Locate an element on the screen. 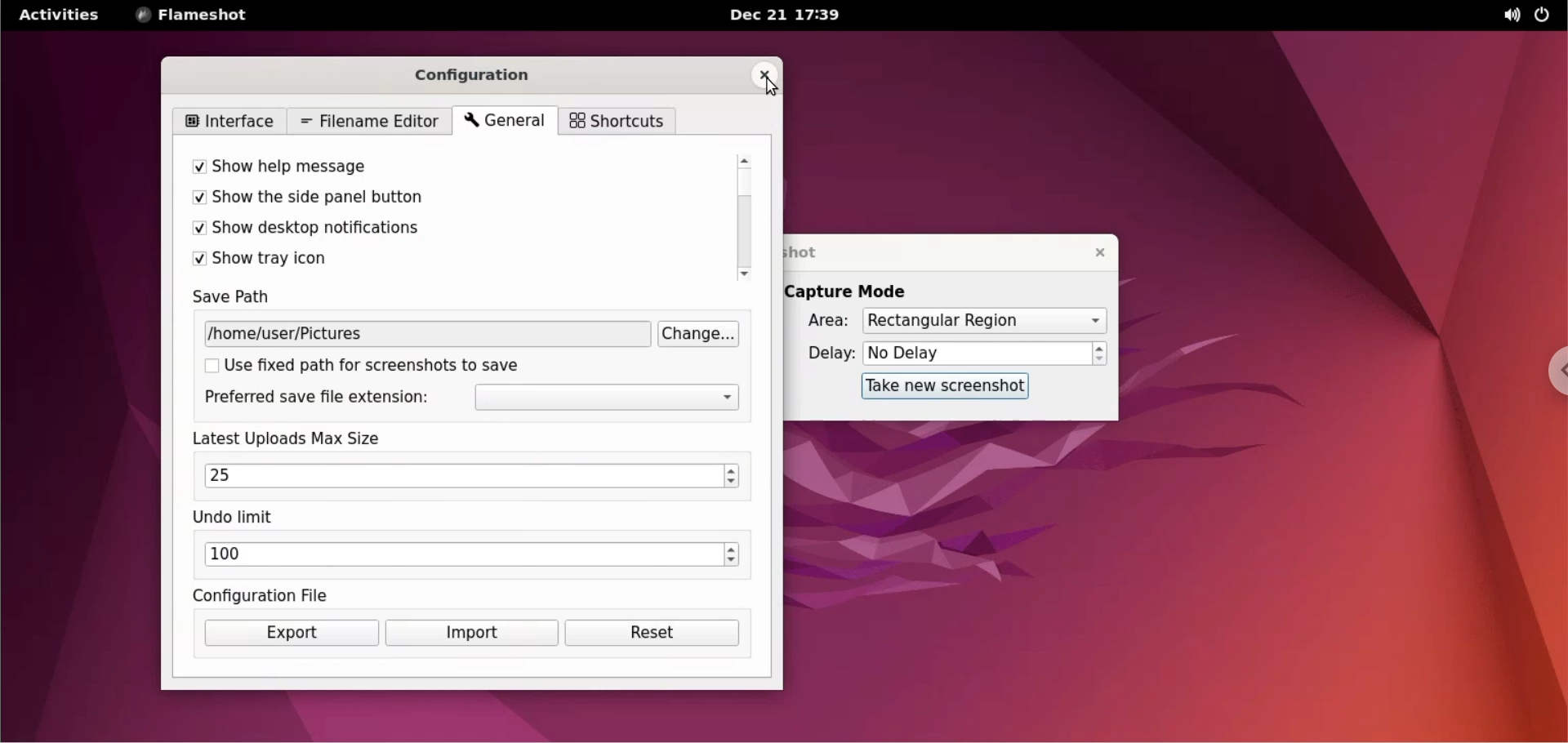 The width and height of the screenshot is (1568, 743). change path is located at coordinates (702, 334).